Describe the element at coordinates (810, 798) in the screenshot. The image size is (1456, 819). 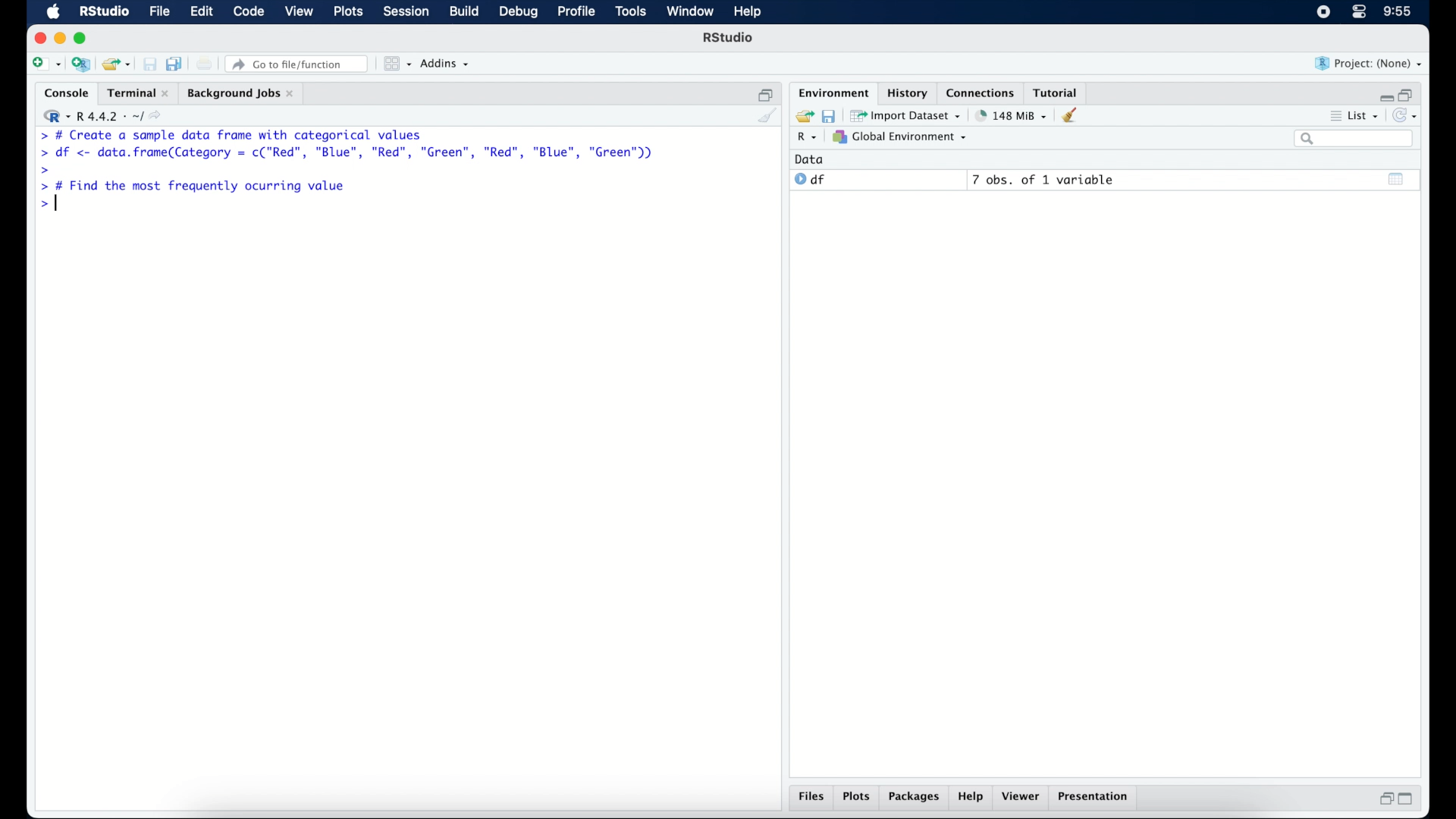
I see `files` at that location.